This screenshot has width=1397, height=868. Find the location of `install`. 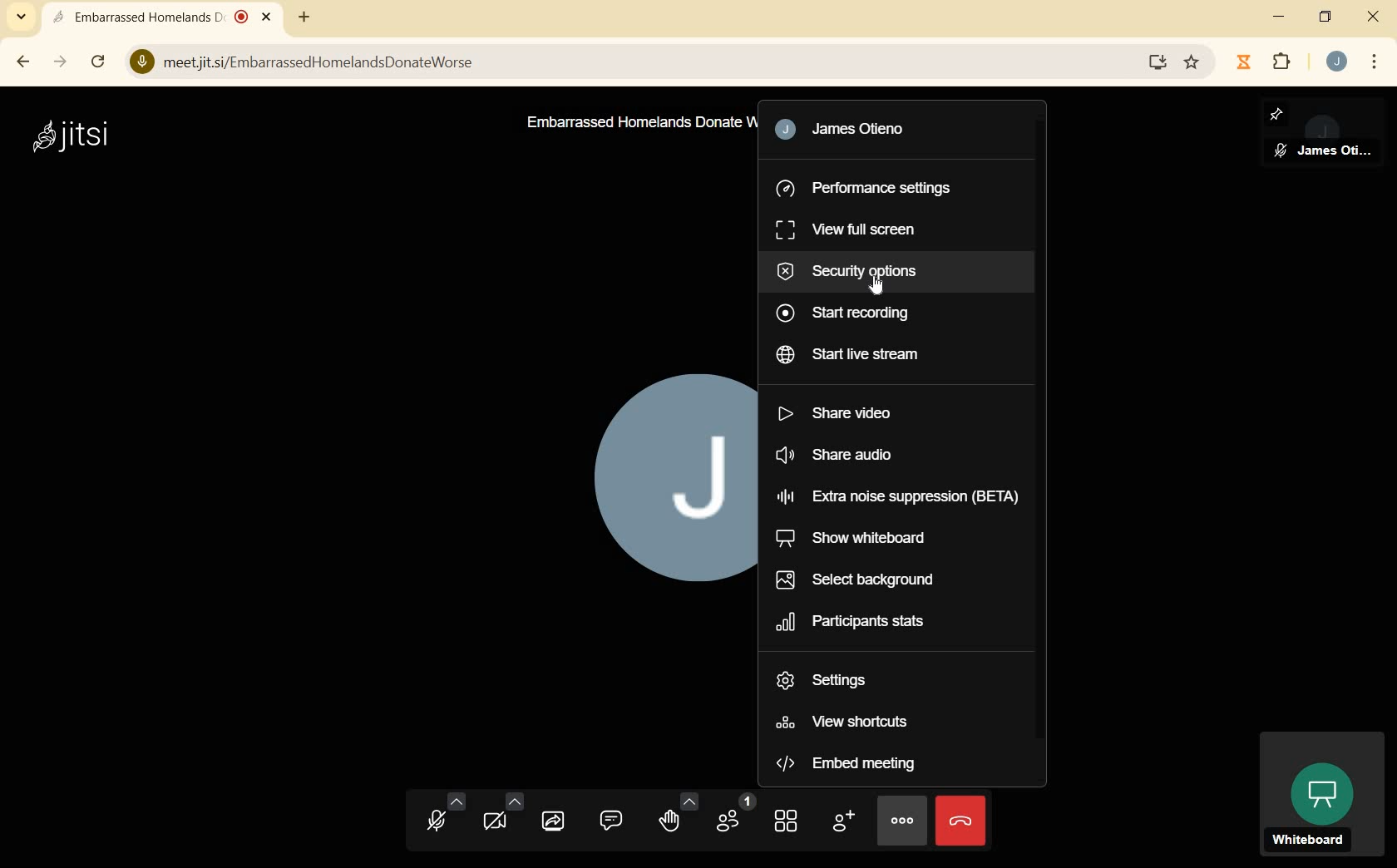

install is located at coordinates (1158, 62).